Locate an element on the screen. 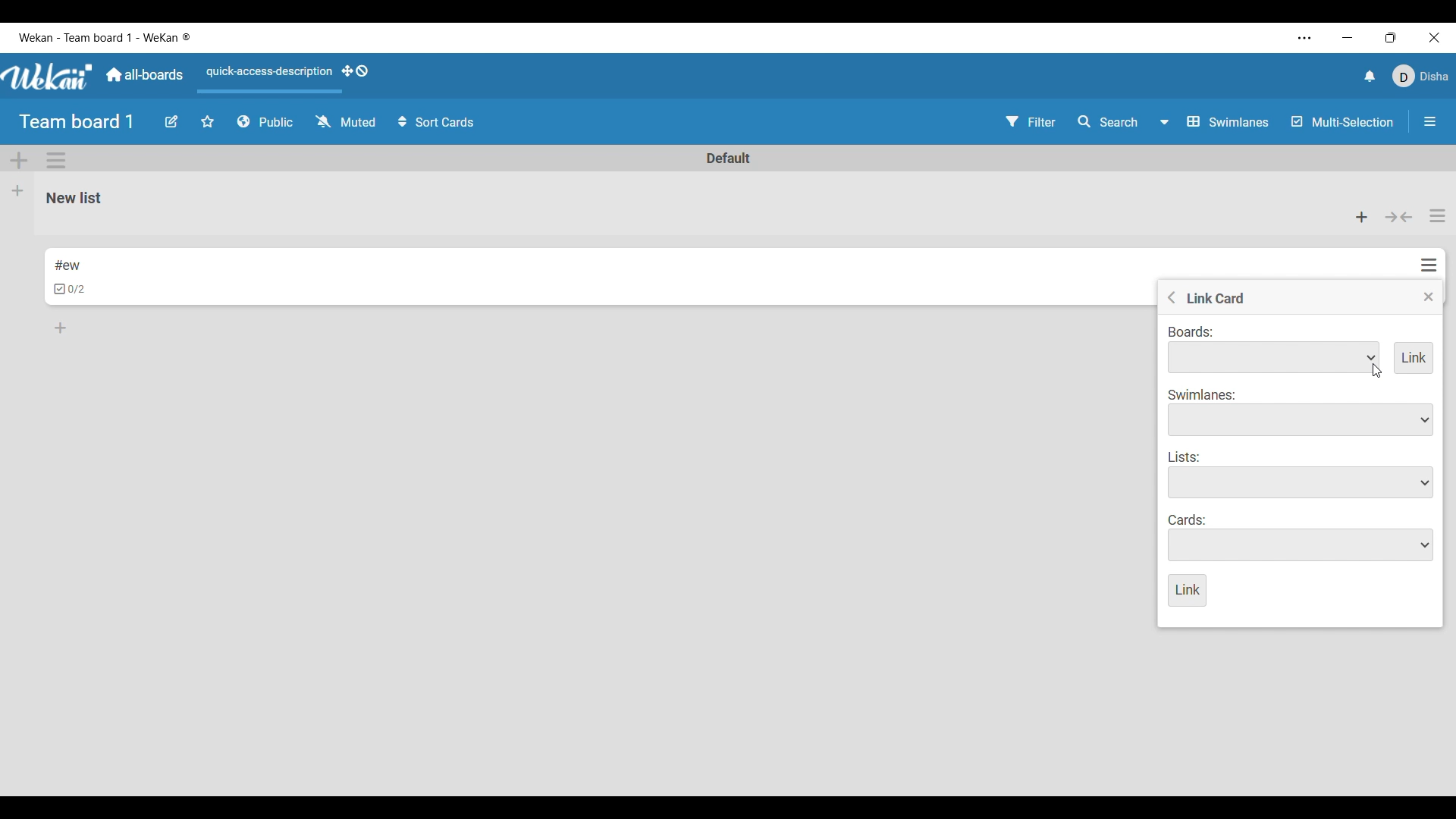 The height and width of the screenshot is (819, 1456). Quick access description is located at coordinates (266, 78).